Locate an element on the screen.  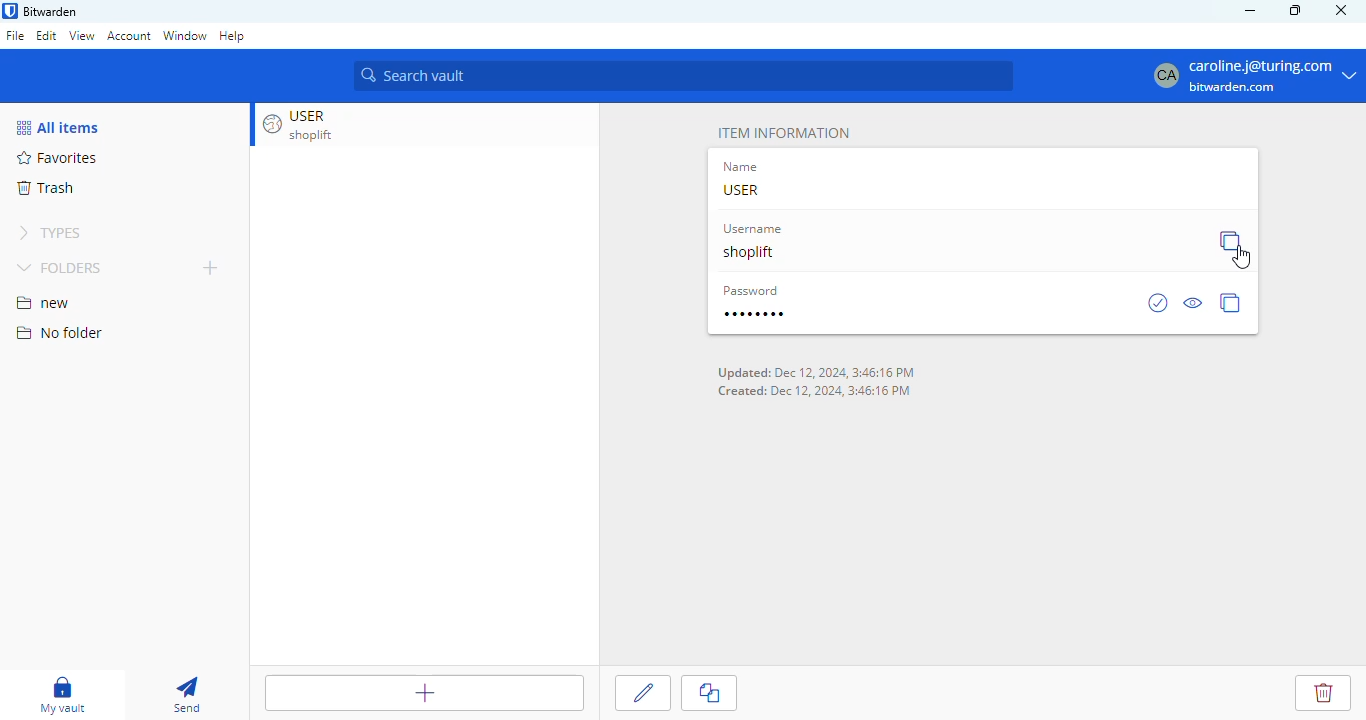
check is password has been exposed is located at coordinates (1158, 303).